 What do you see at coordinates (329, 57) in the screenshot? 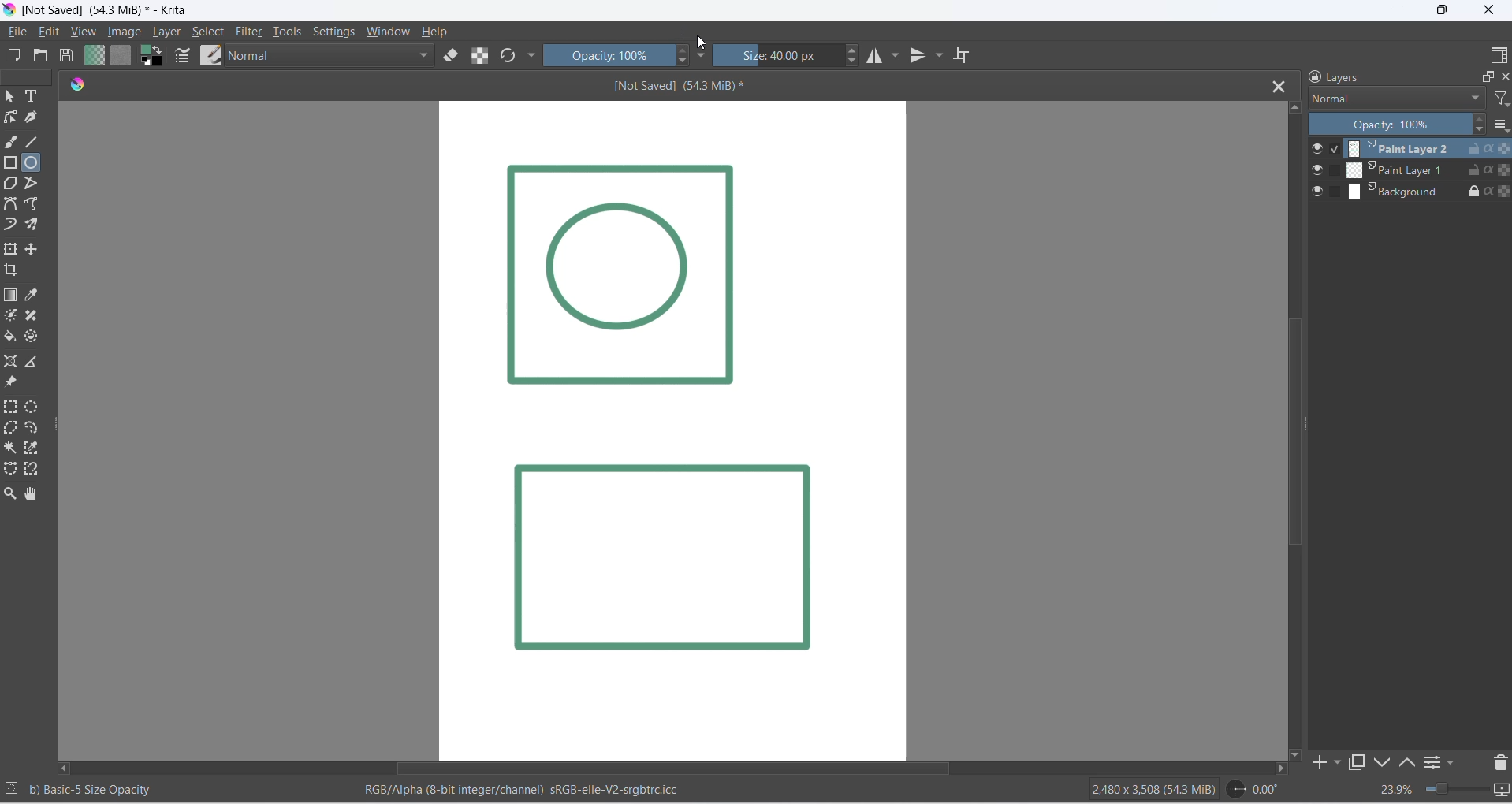
I see `blending mode` at bounding box center [329, 57].